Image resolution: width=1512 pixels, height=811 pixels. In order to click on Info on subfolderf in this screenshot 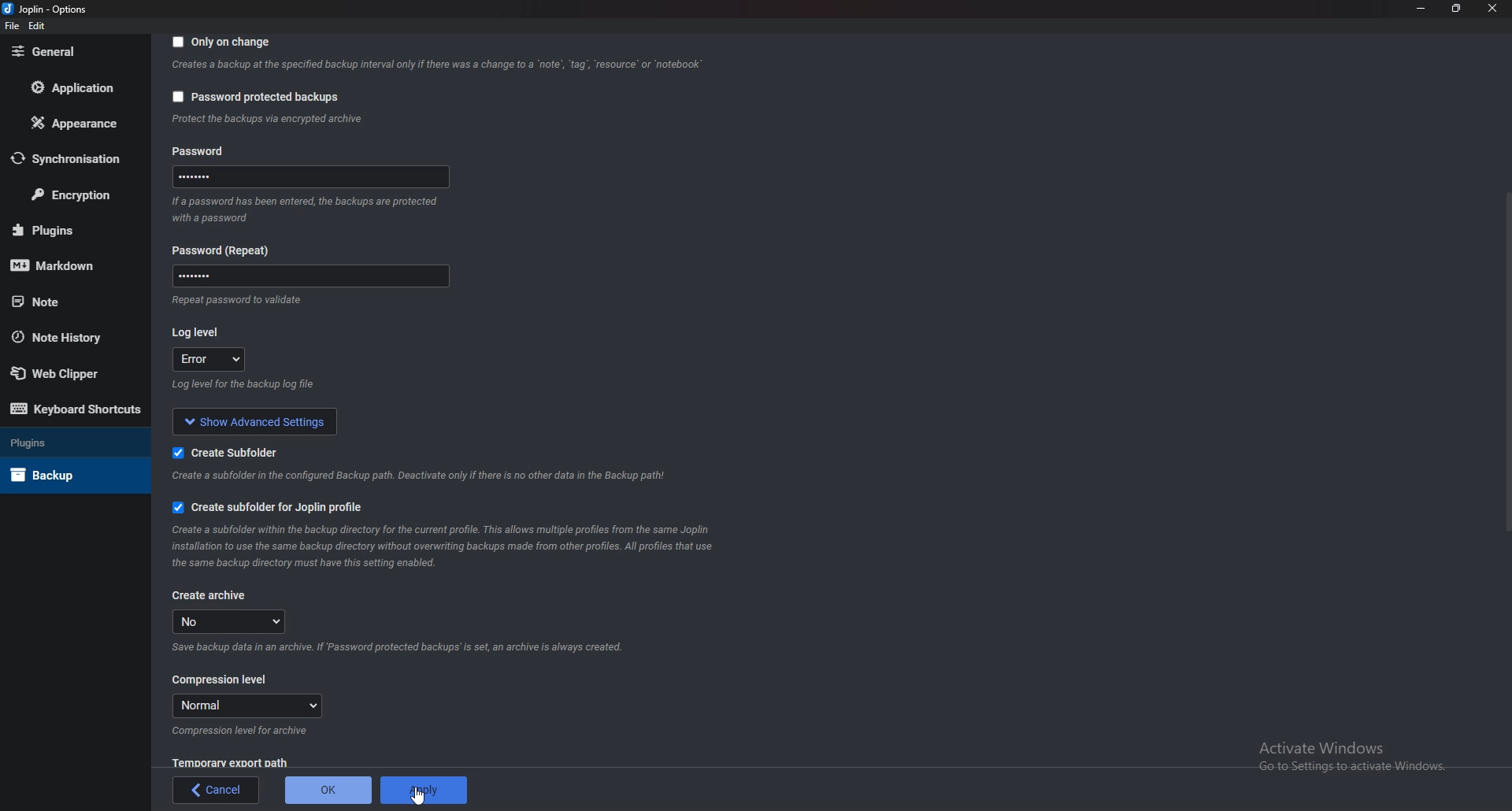, I will do `click(421, 476)`.